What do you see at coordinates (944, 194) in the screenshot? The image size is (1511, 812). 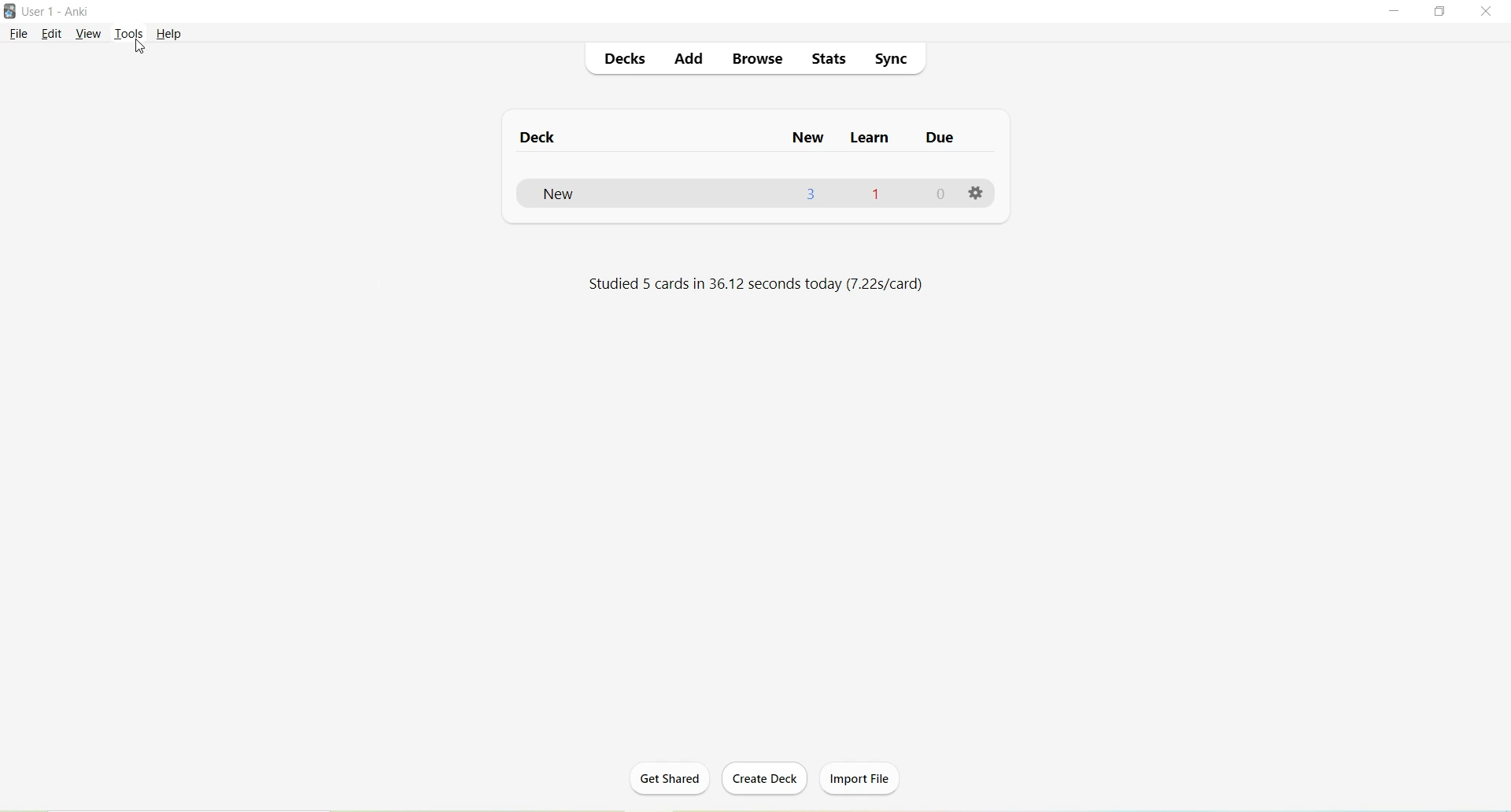 I see `0` at bounding box center [944, 194].